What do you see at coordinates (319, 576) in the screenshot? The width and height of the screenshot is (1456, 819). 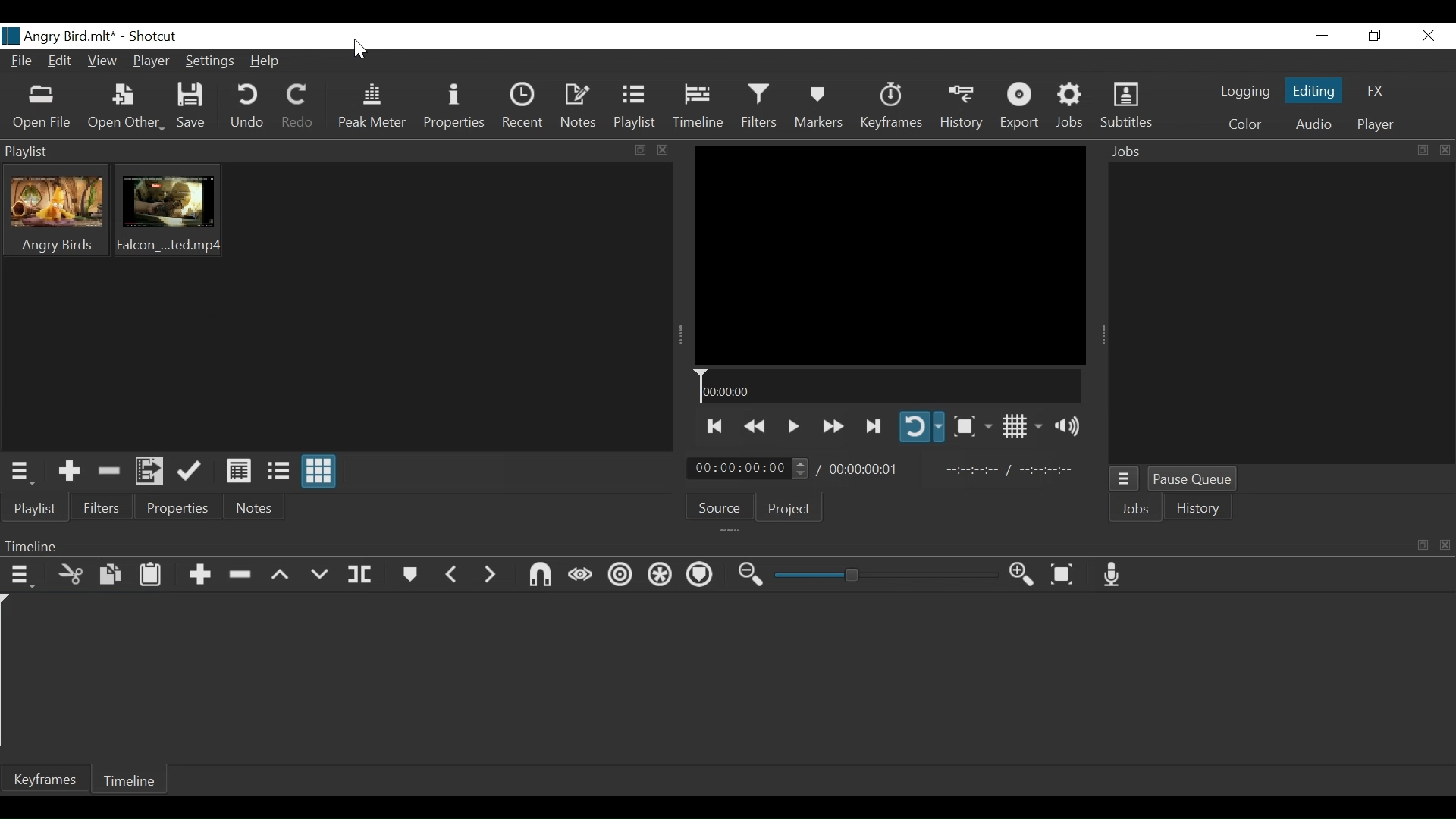 I see `Overwrite` at bounding box center [319, 576].